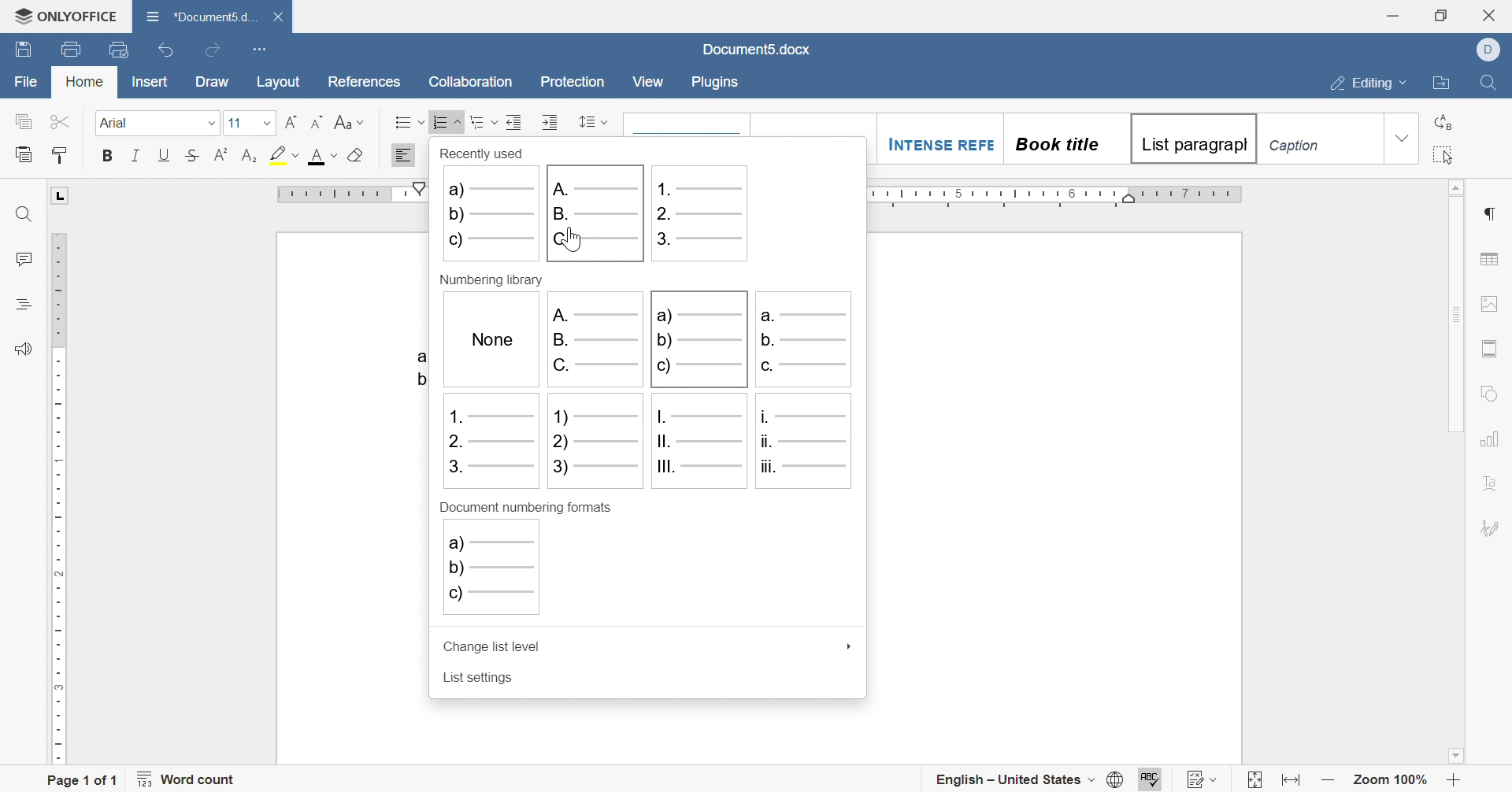 Image resolution: width=1512 pixels, height=792 pixels. What do you see at coordinates (1151, 779) in the screenshot?
I see `spell checking` at bounding box center [1151, 779].